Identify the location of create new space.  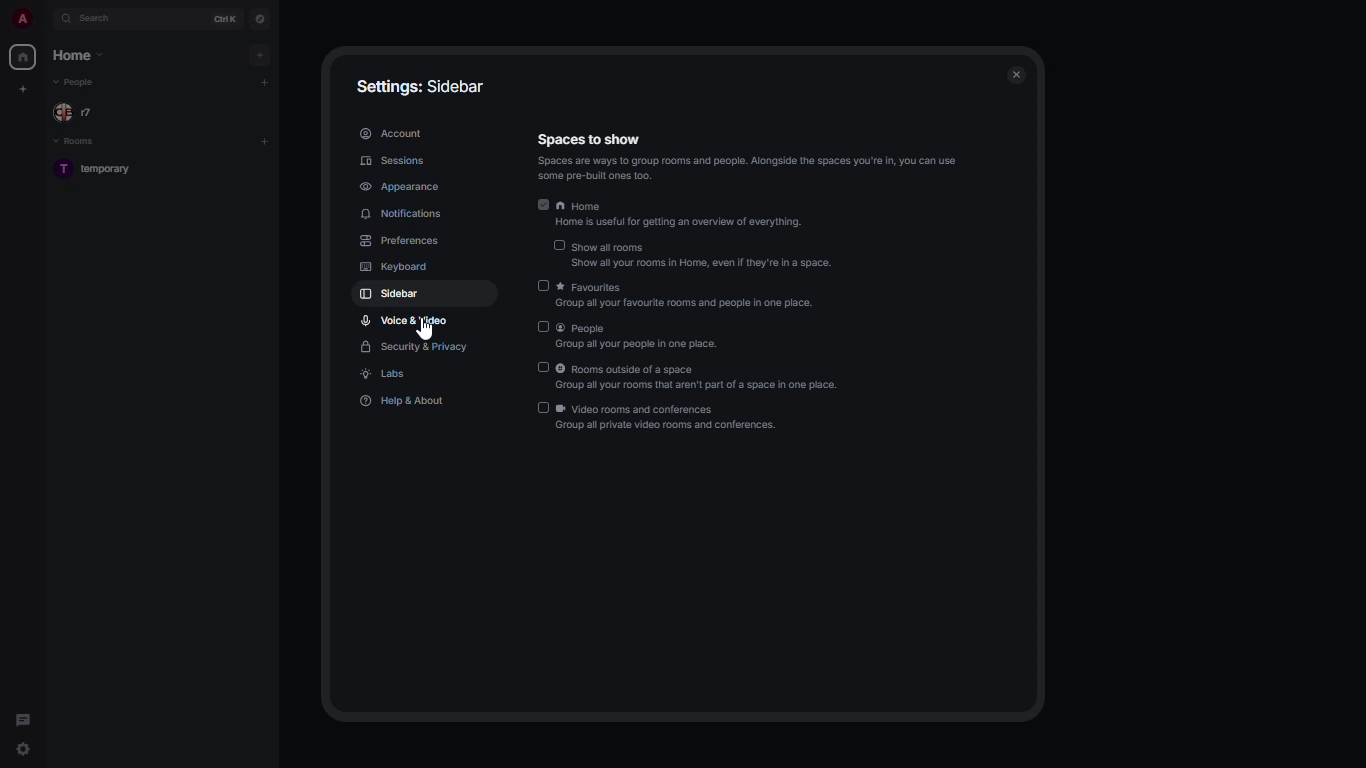
(24, 88).